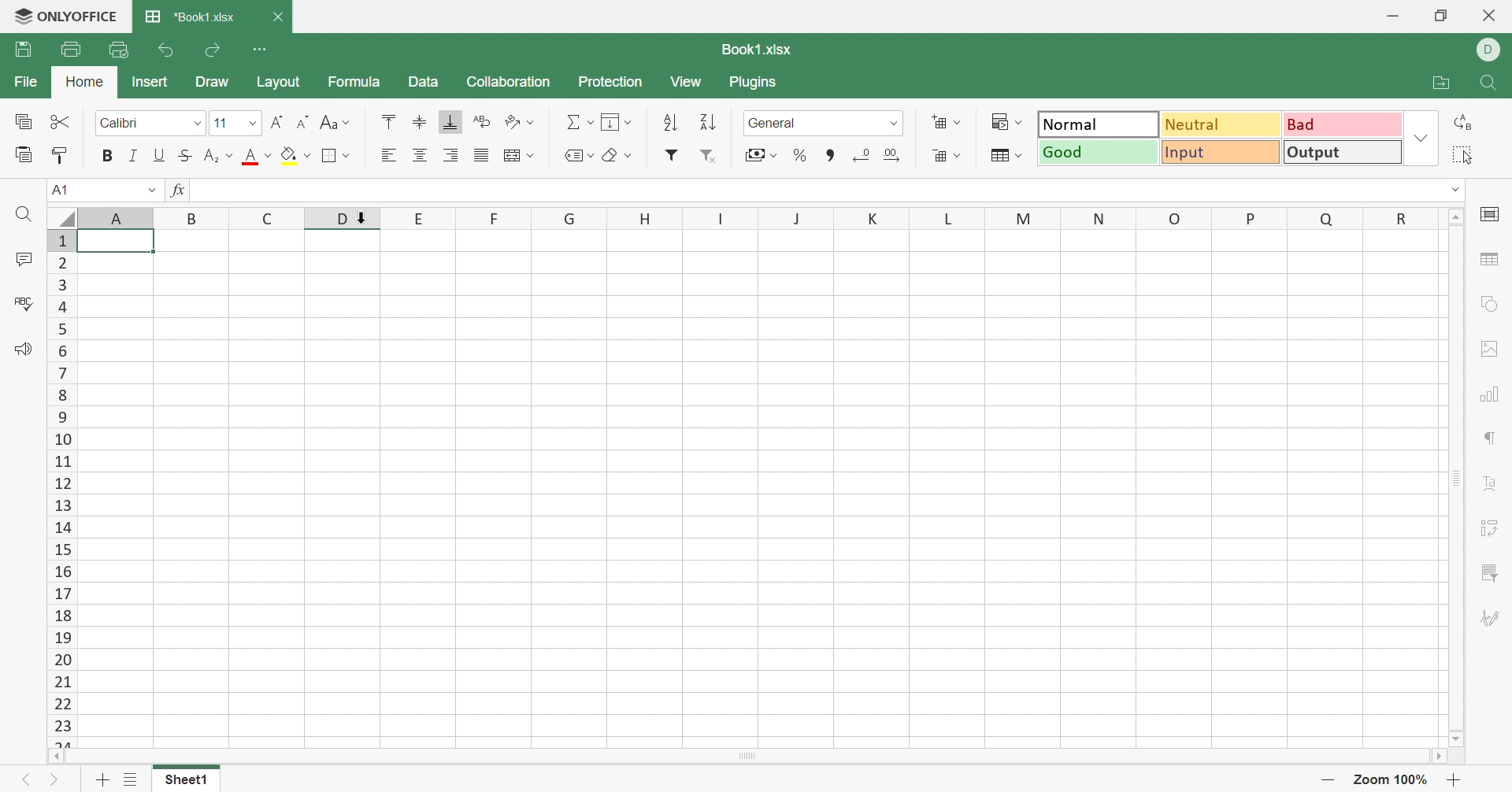  Describe the element at coordinates (706, 121) in the screenshot. I see `Descending order` at that location.